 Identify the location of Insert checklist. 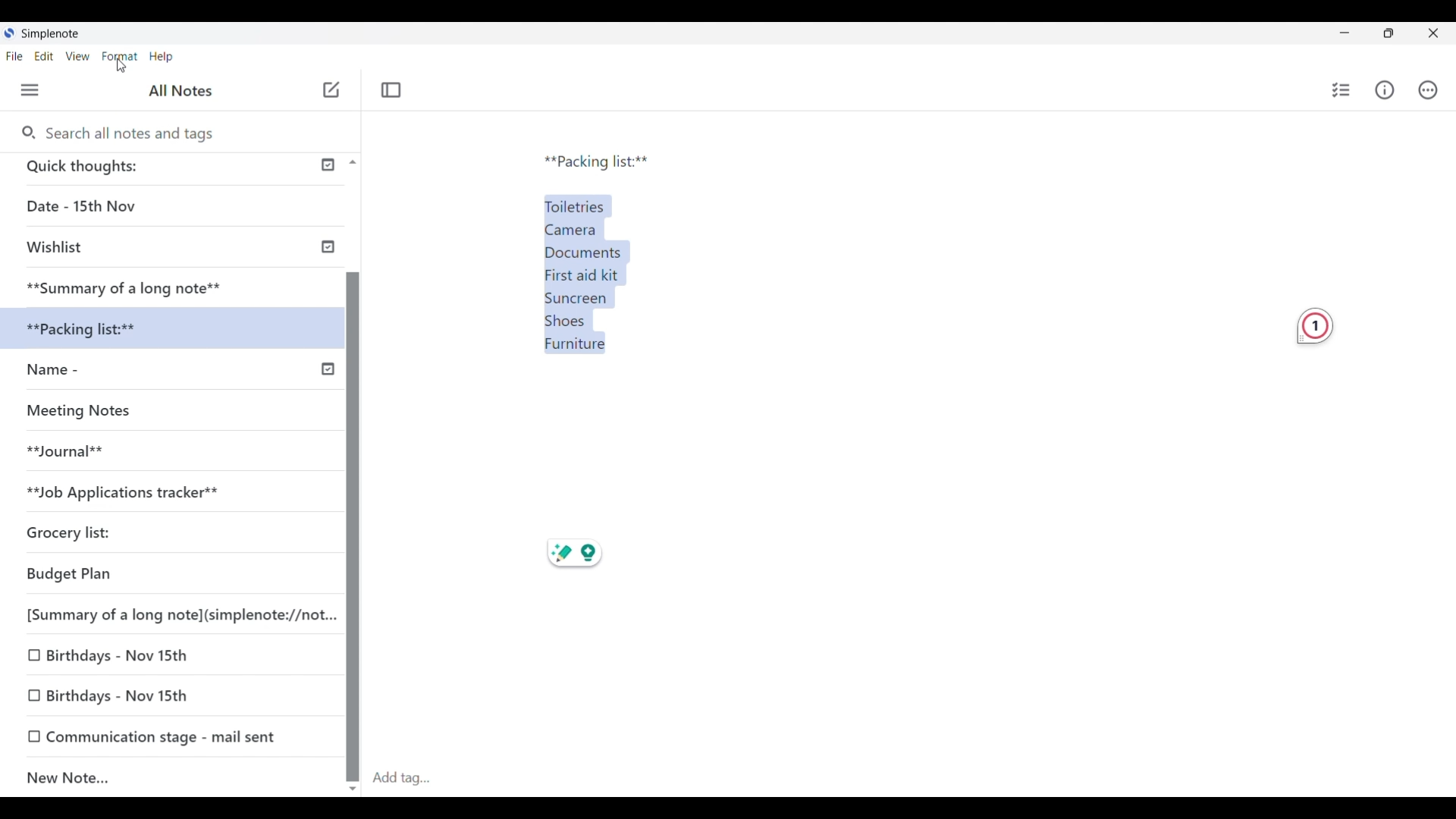
(1342, 90).